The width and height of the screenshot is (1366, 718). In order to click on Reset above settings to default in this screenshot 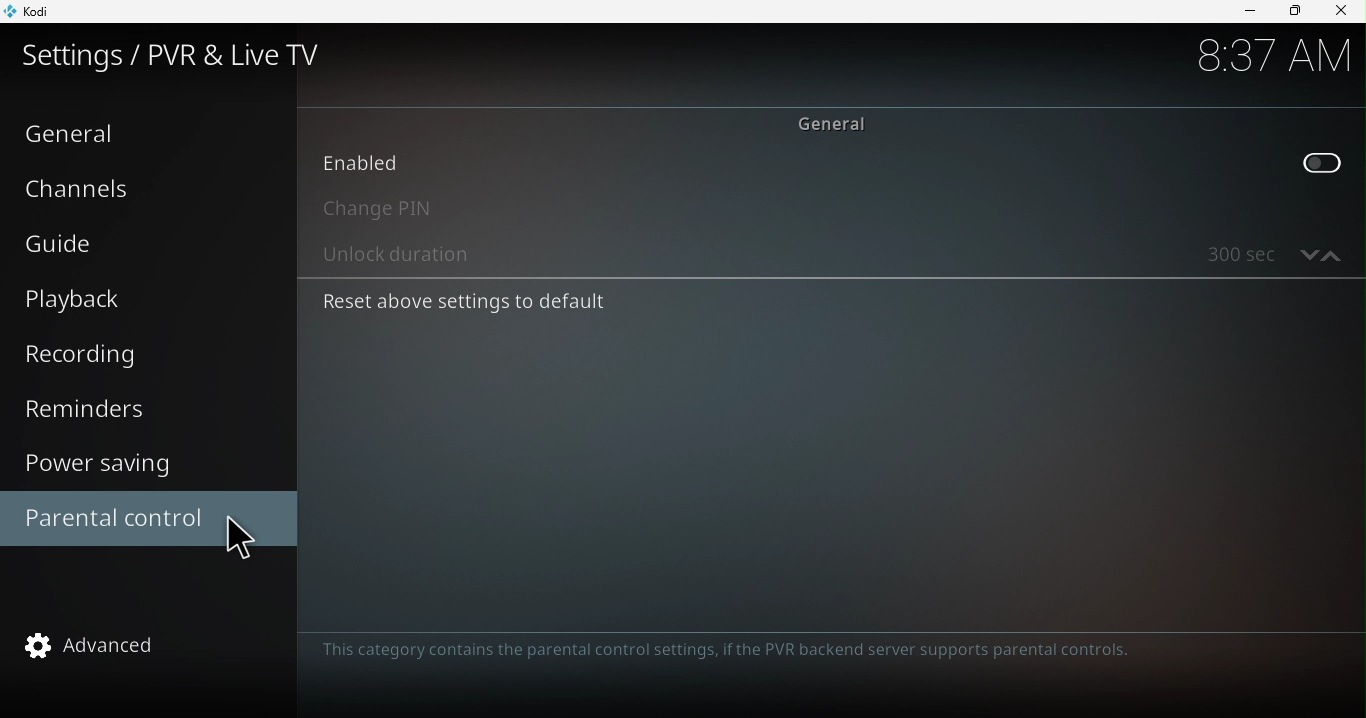, I will do `click(589, 302)`.